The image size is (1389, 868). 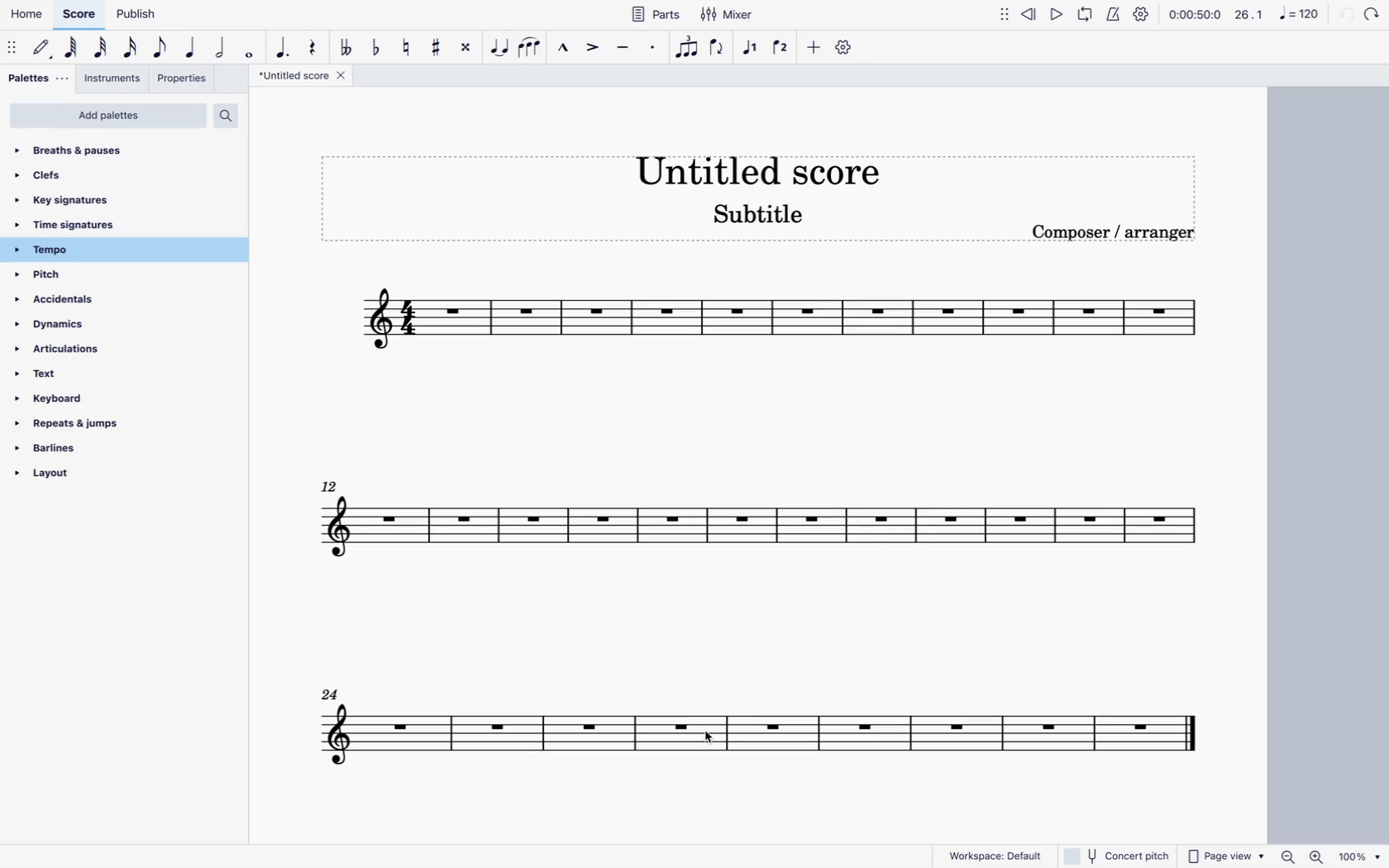 What do you see at coordinates (65, 180) in the screenshot?
I see `clefs` at bounding box center [65, 180].